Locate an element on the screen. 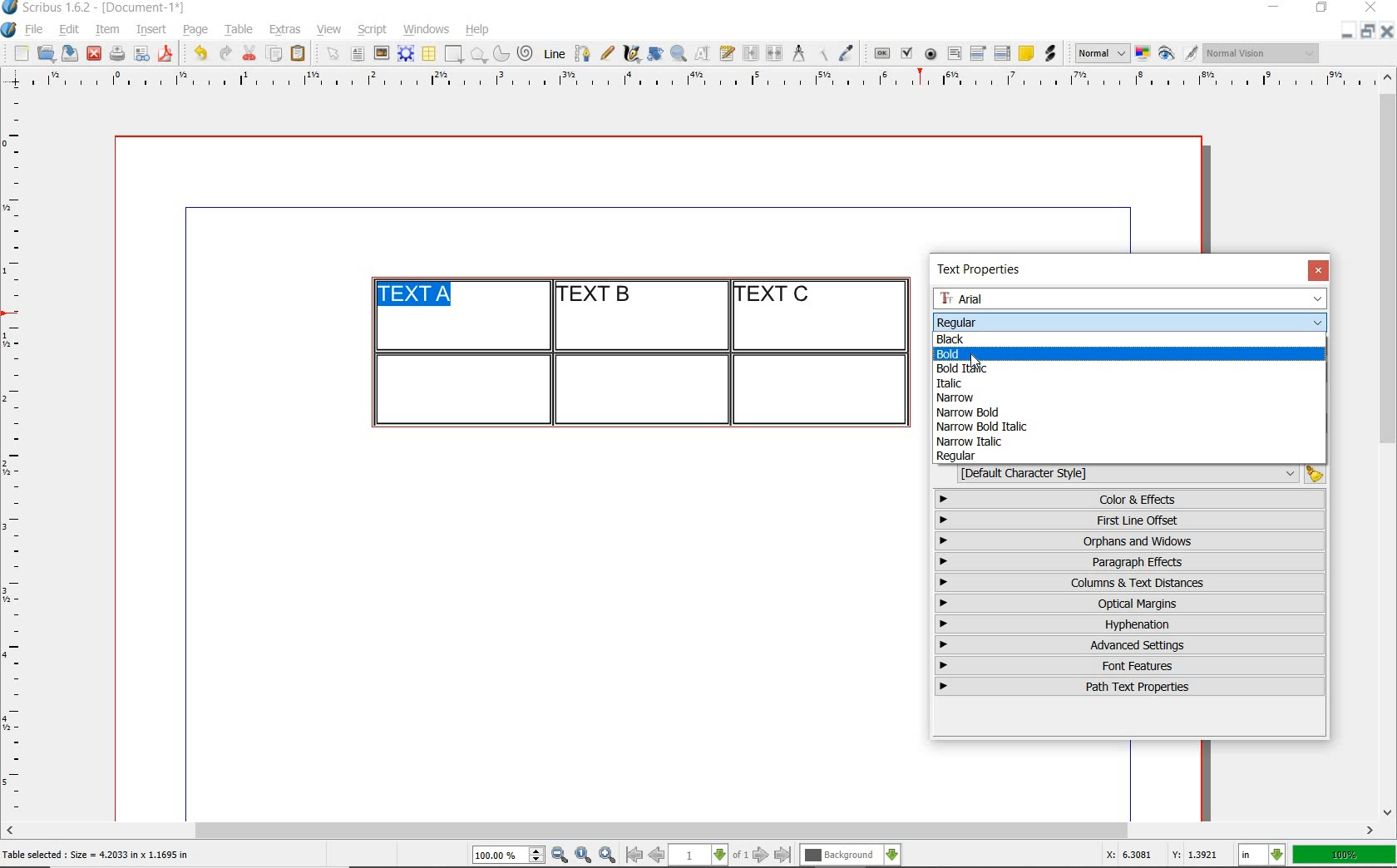 This screenshot has width=1397, height=868. 100% is located at coordinates (1345, 855).